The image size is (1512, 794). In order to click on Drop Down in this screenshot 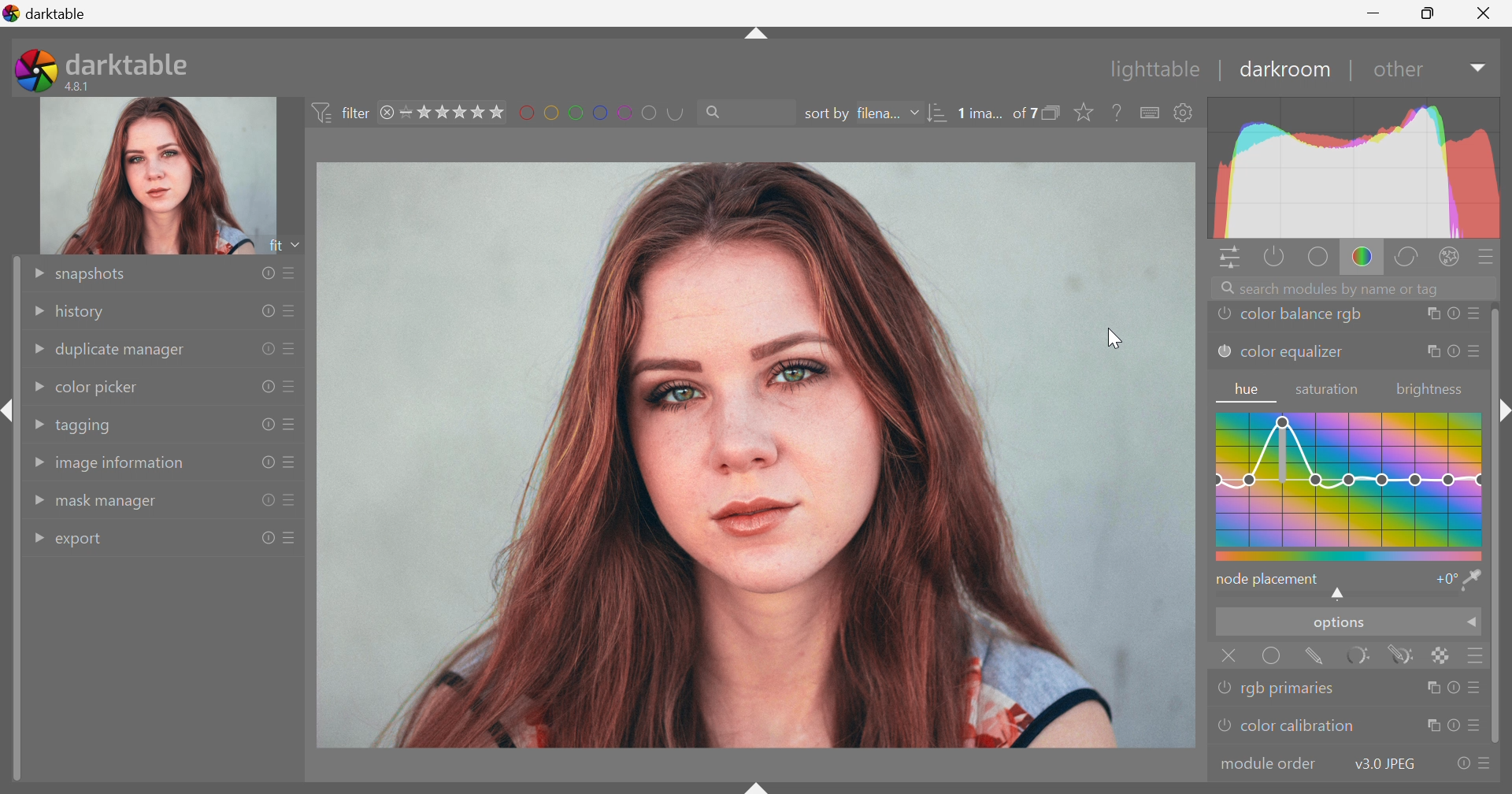, I will do `click(37, 501)`.